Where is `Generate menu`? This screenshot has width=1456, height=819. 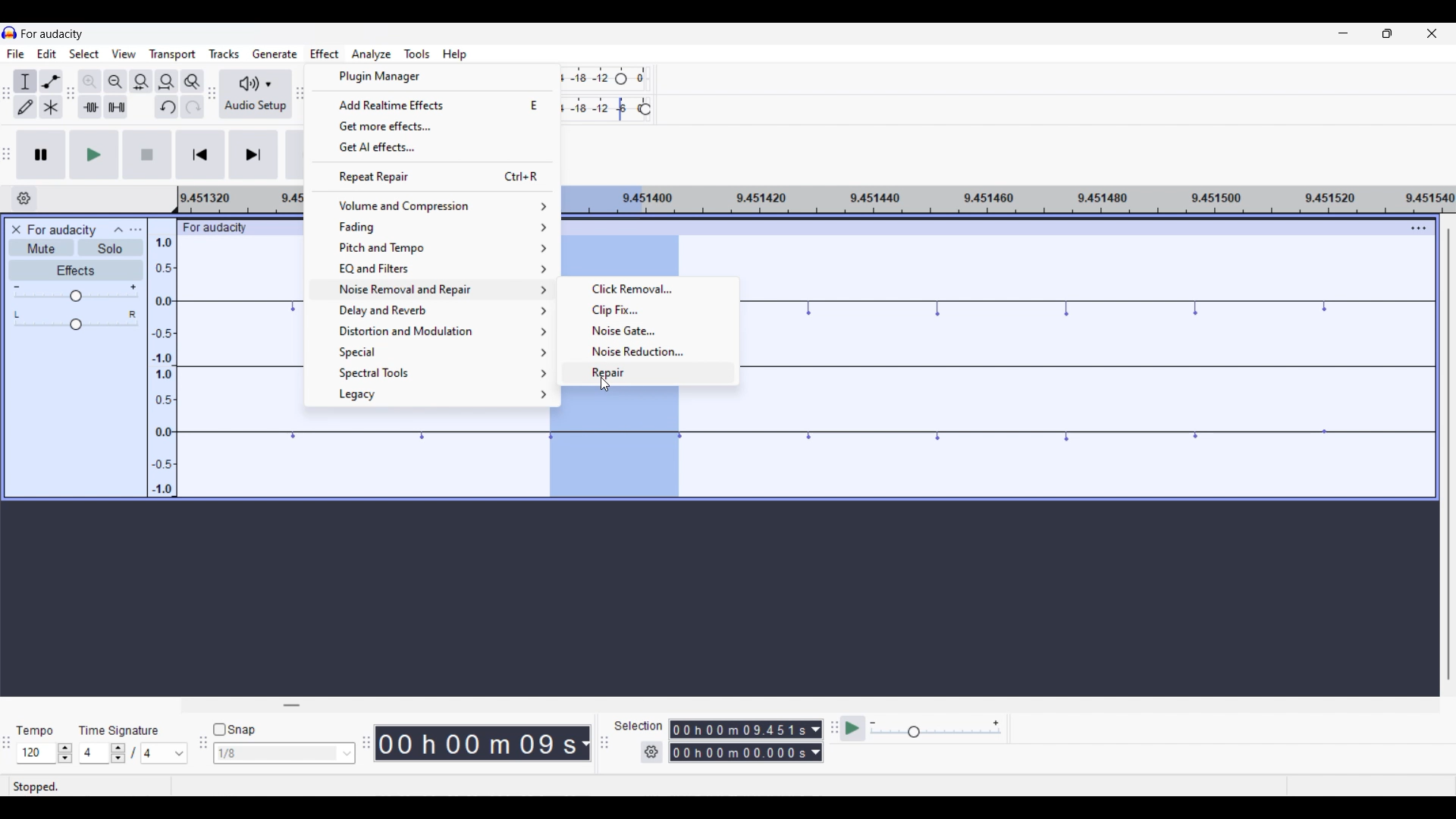
Generate menu is located at coordinates (275, 53).